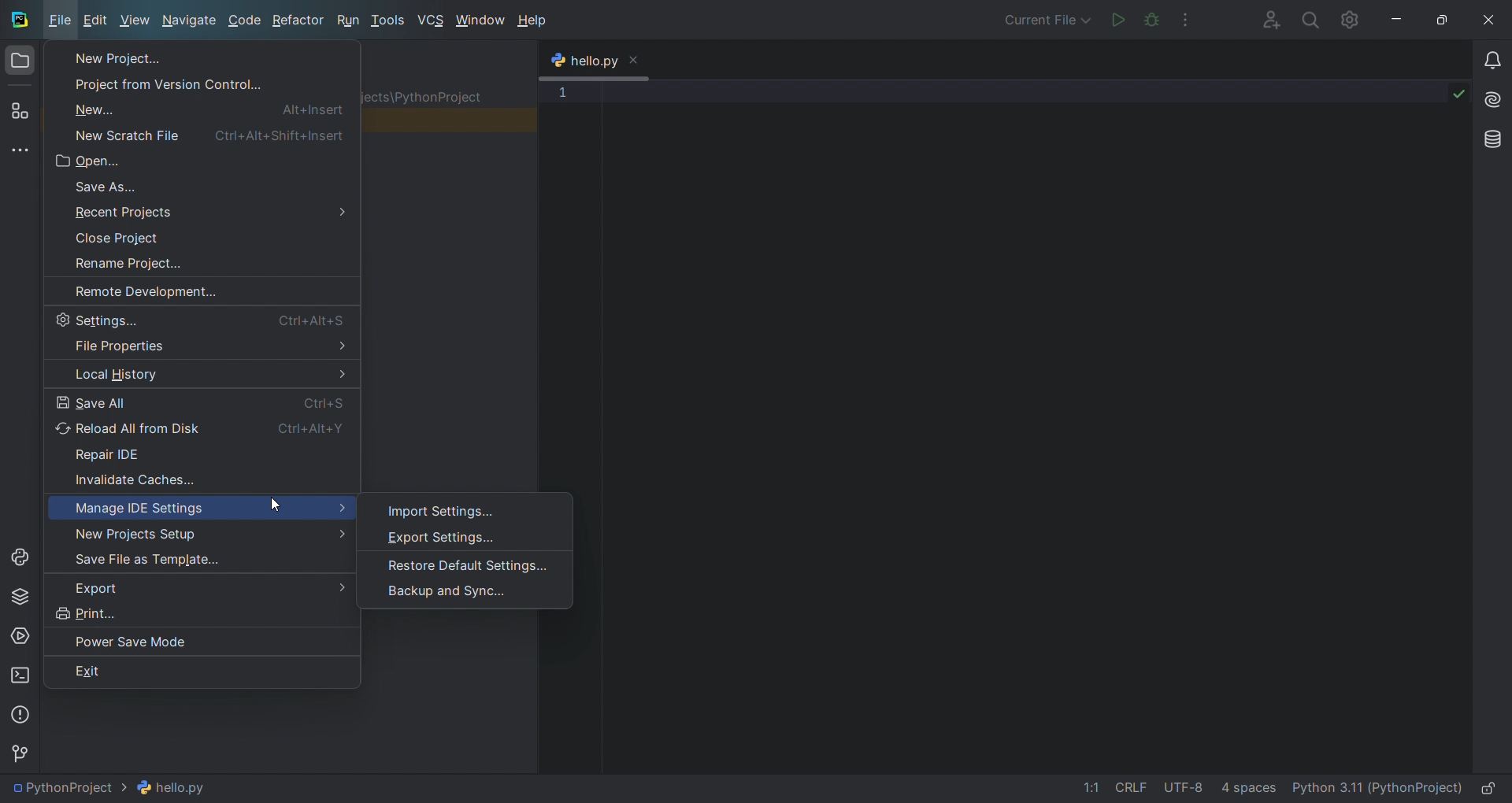 Image resolution: width=1512 pixels, height=803 pixels. What do you see at coordinates (1351, 18) in the screenshot?
I see `settings` at bounding box center [1351, 18].